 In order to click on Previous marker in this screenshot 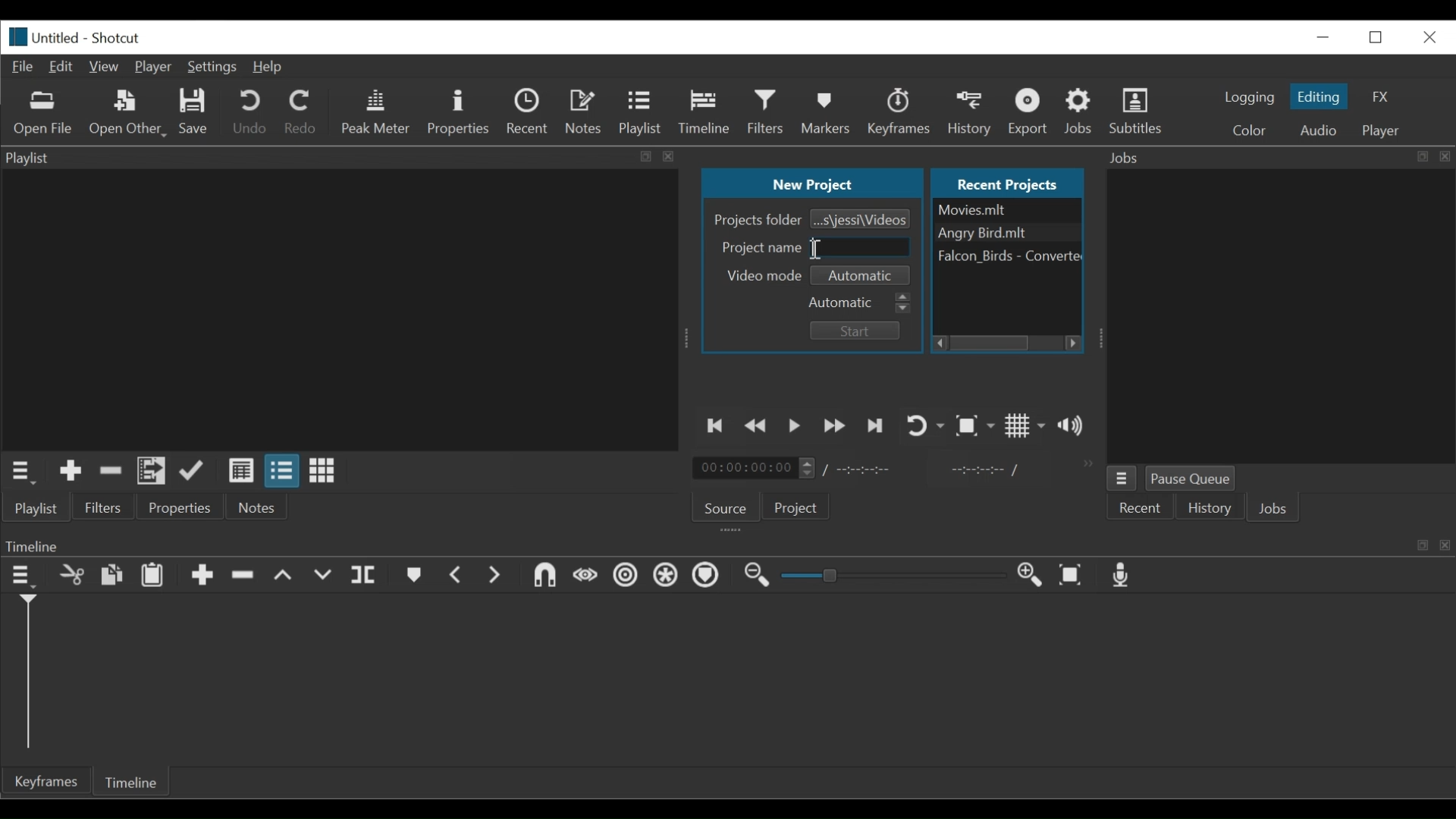, I will do `click(456, 573)`.